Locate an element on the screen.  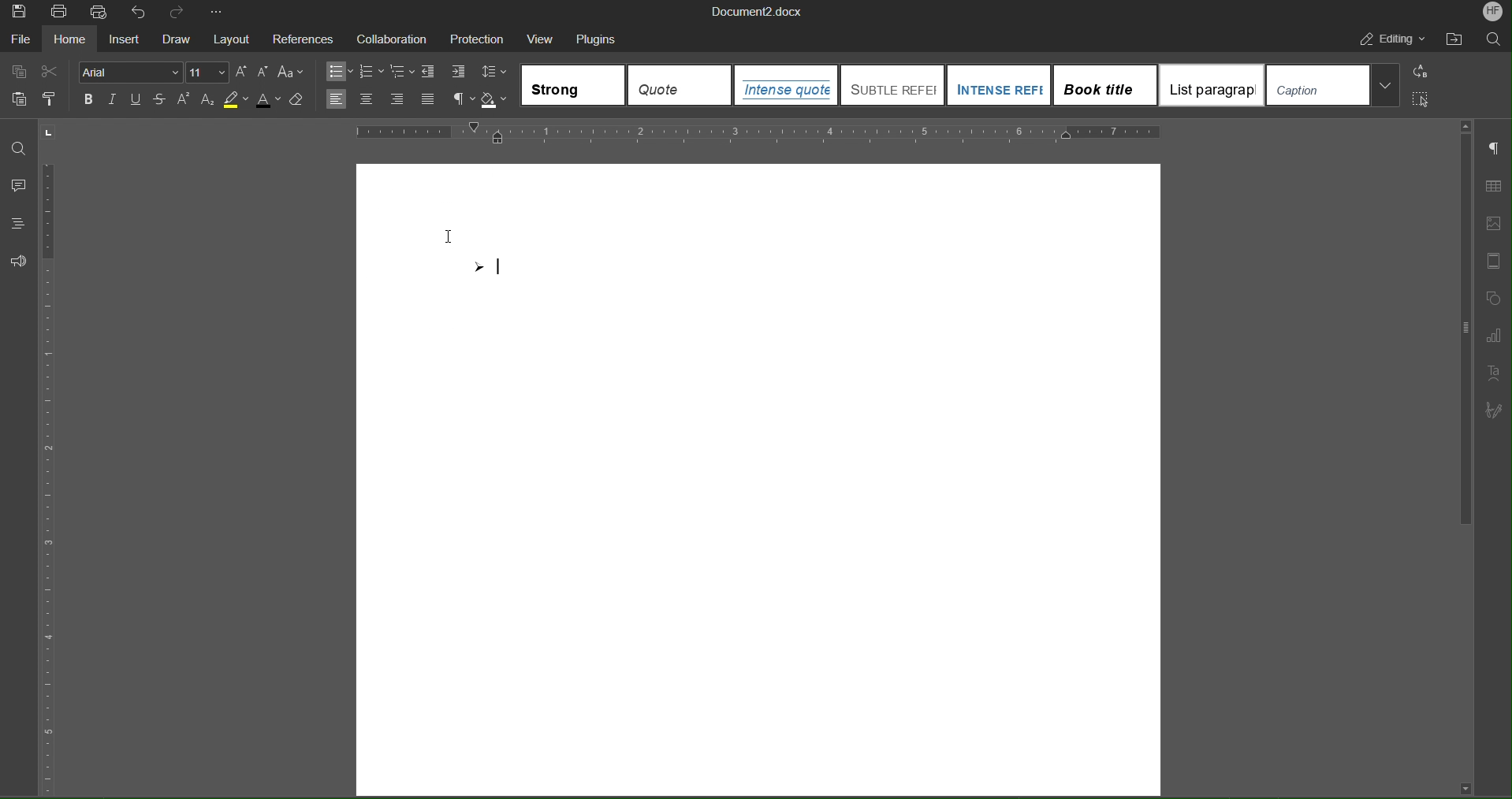
Document Title is located at coordinates (759, 11).